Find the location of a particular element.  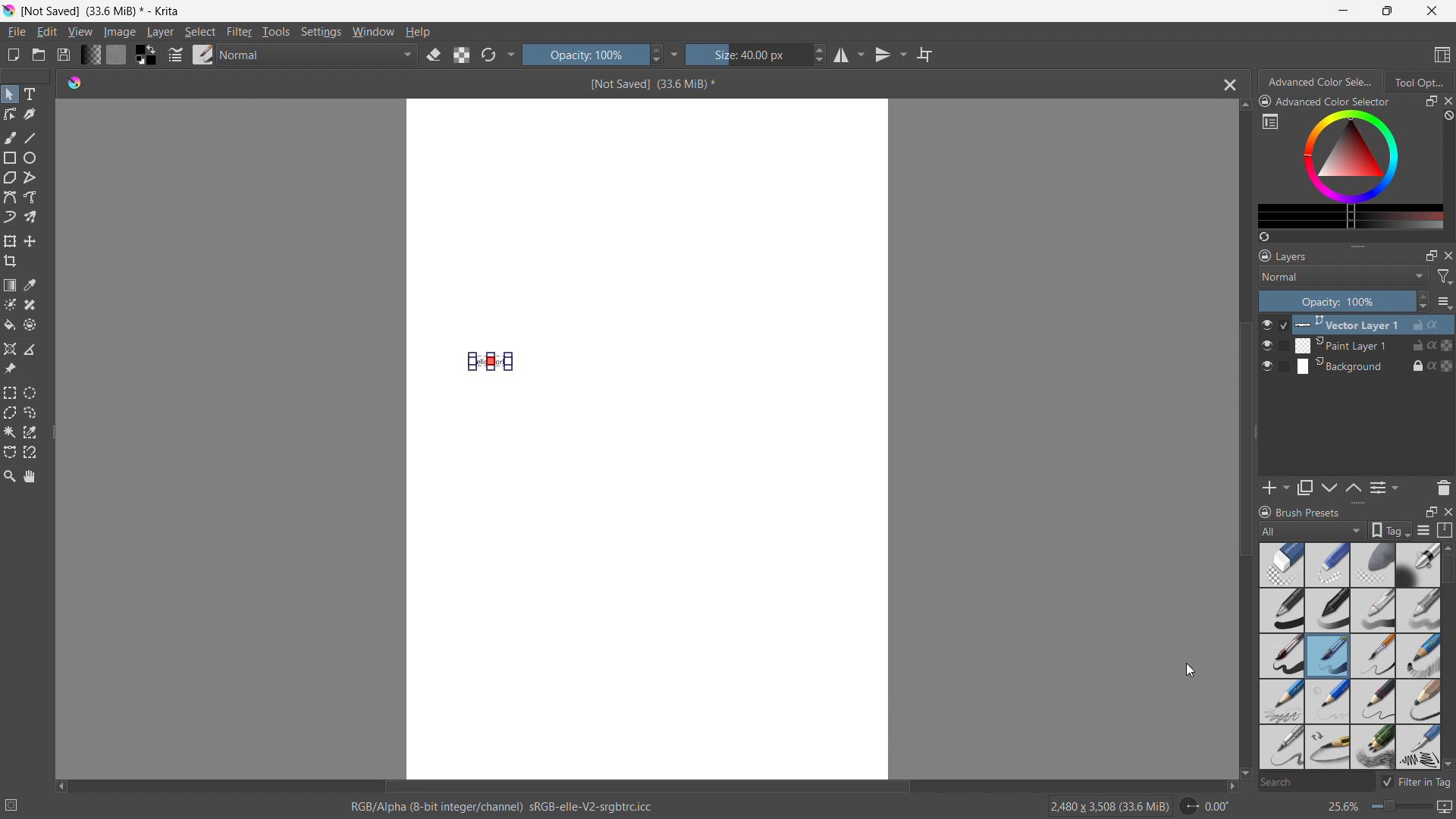

Blur is located at coordinates (1282, 564).